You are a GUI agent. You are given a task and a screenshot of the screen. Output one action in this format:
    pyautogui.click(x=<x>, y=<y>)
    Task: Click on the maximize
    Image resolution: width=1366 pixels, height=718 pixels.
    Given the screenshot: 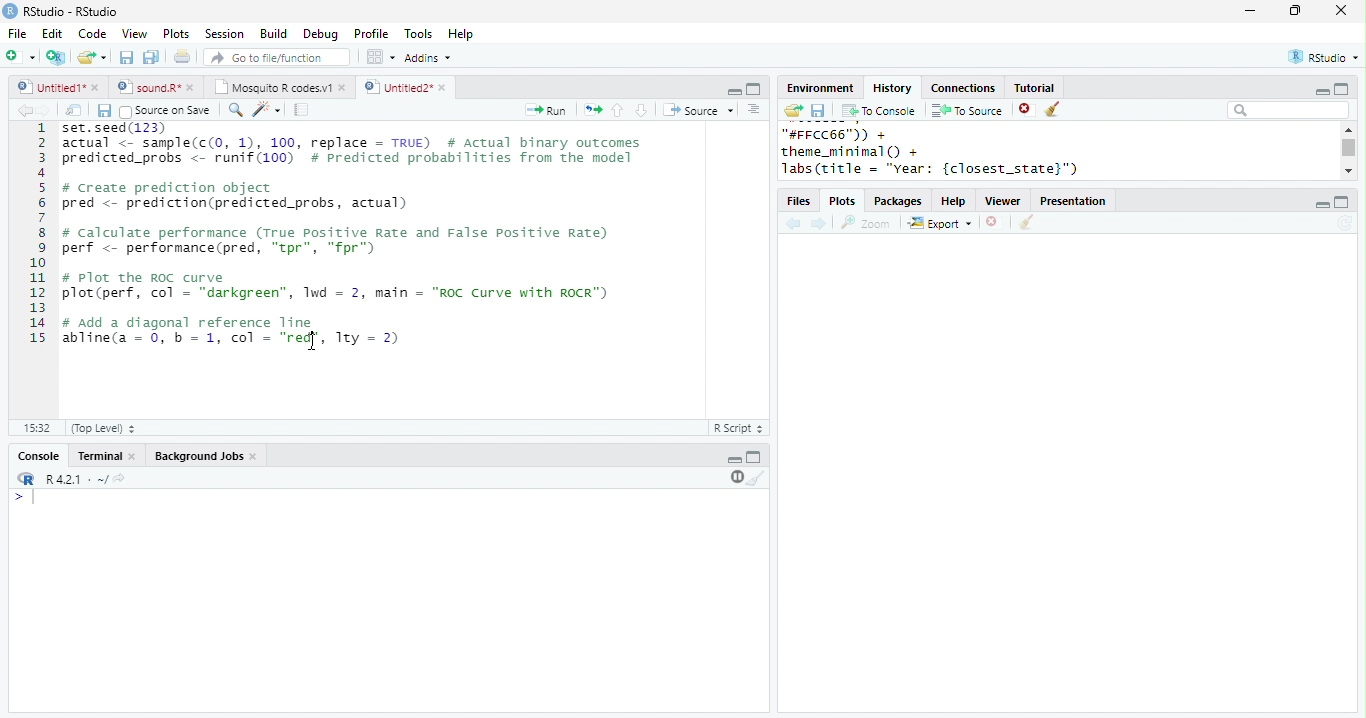 What is the action you would take?
    pyautogui.click(x=754, y=456)
    